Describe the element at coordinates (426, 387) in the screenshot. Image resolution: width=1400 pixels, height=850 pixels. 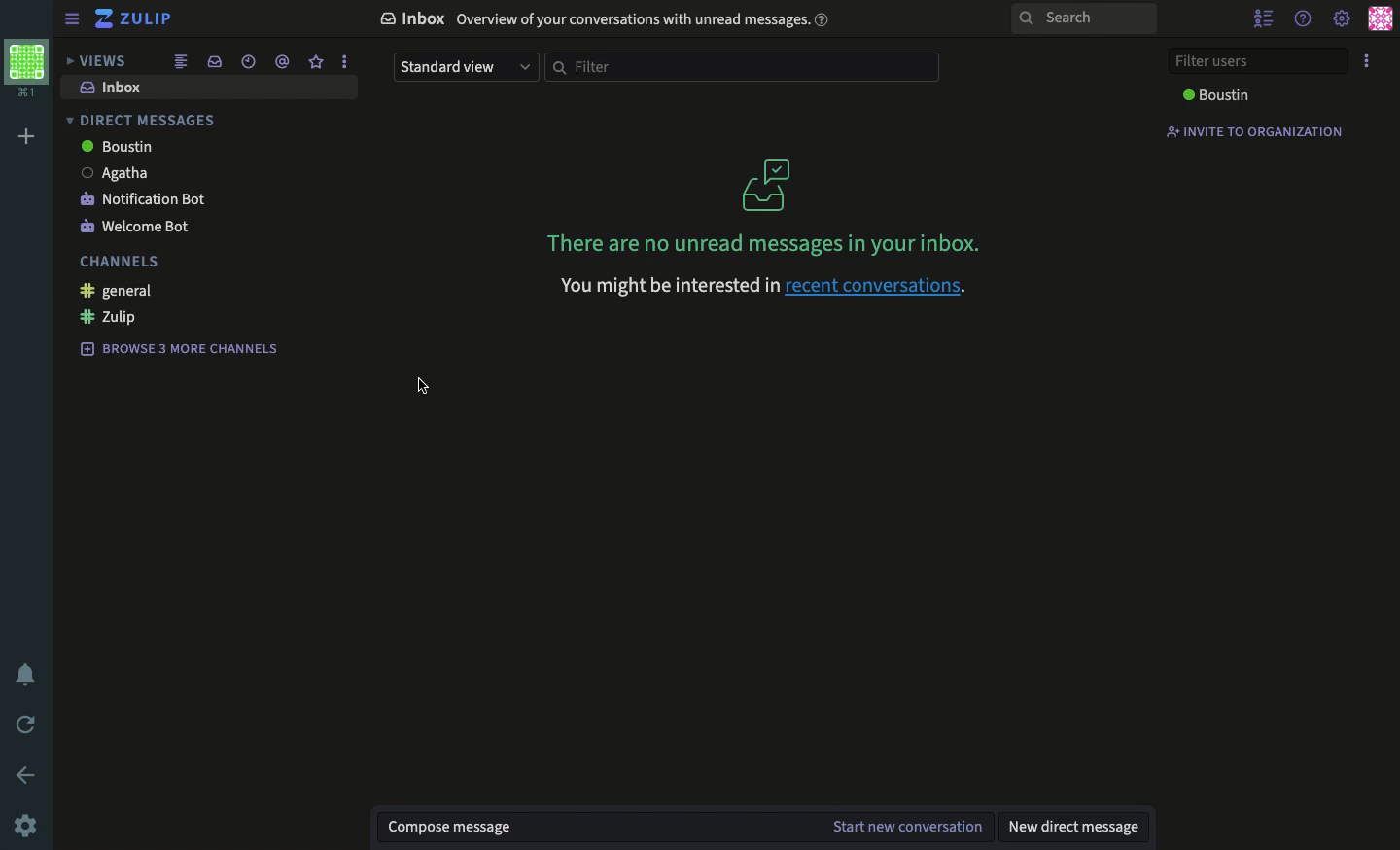
I see `cursor` at that location.